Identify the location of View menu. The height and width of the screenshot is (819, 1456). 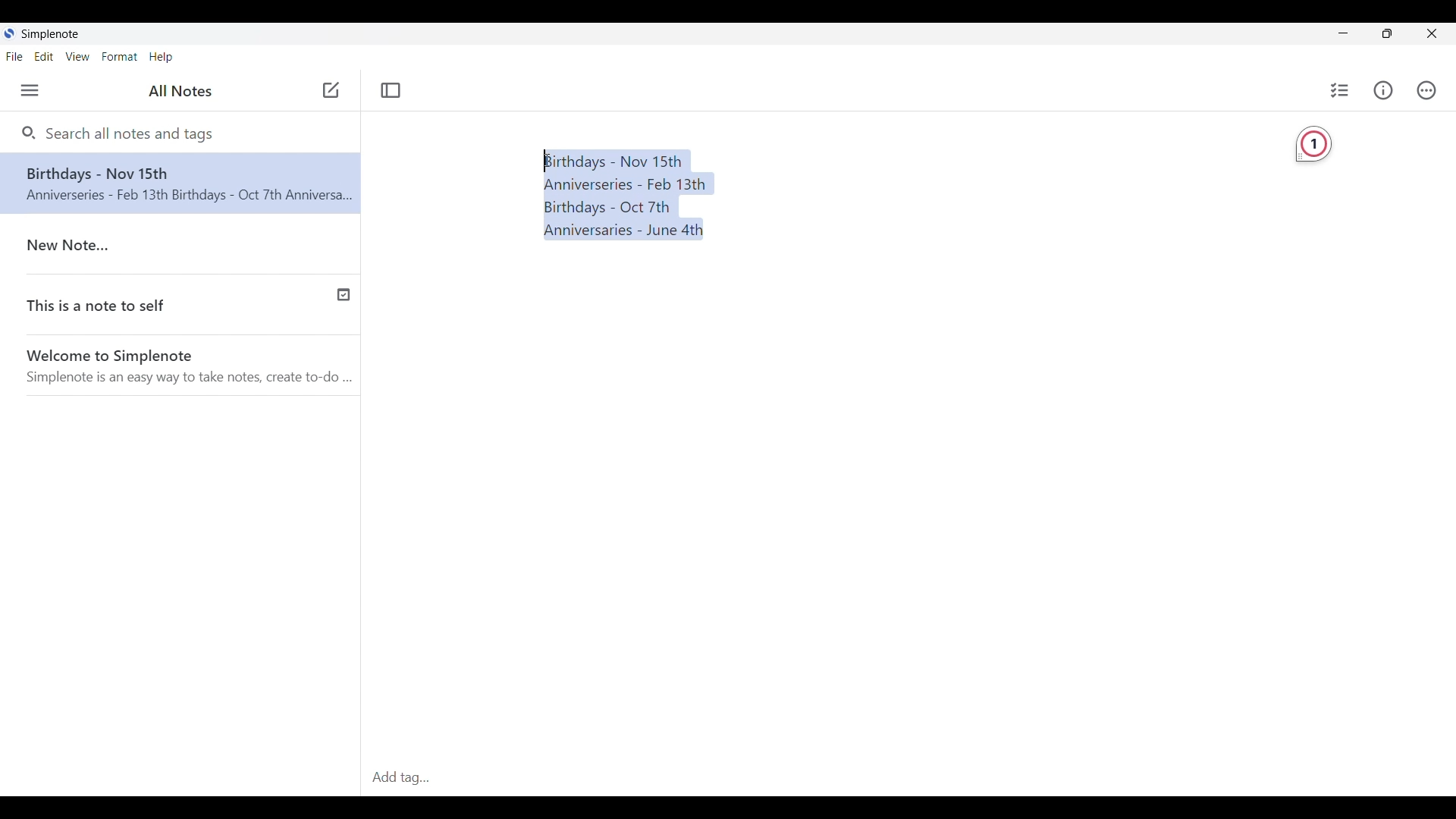
(78, 56).